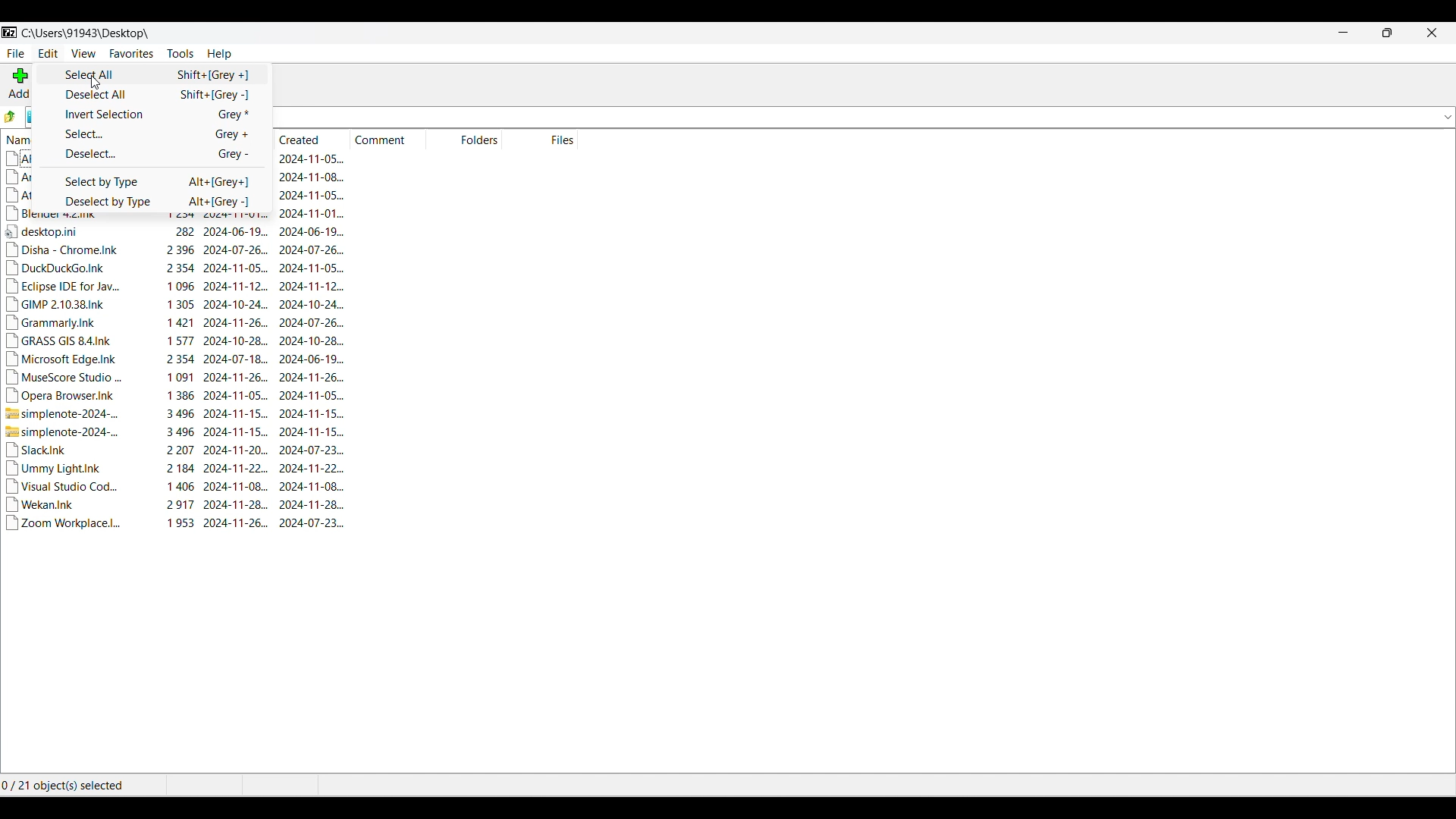  What do you see at coordinates (152, 154) in the screenshot?
I see `Deselect` at bounding box center [152, 154].